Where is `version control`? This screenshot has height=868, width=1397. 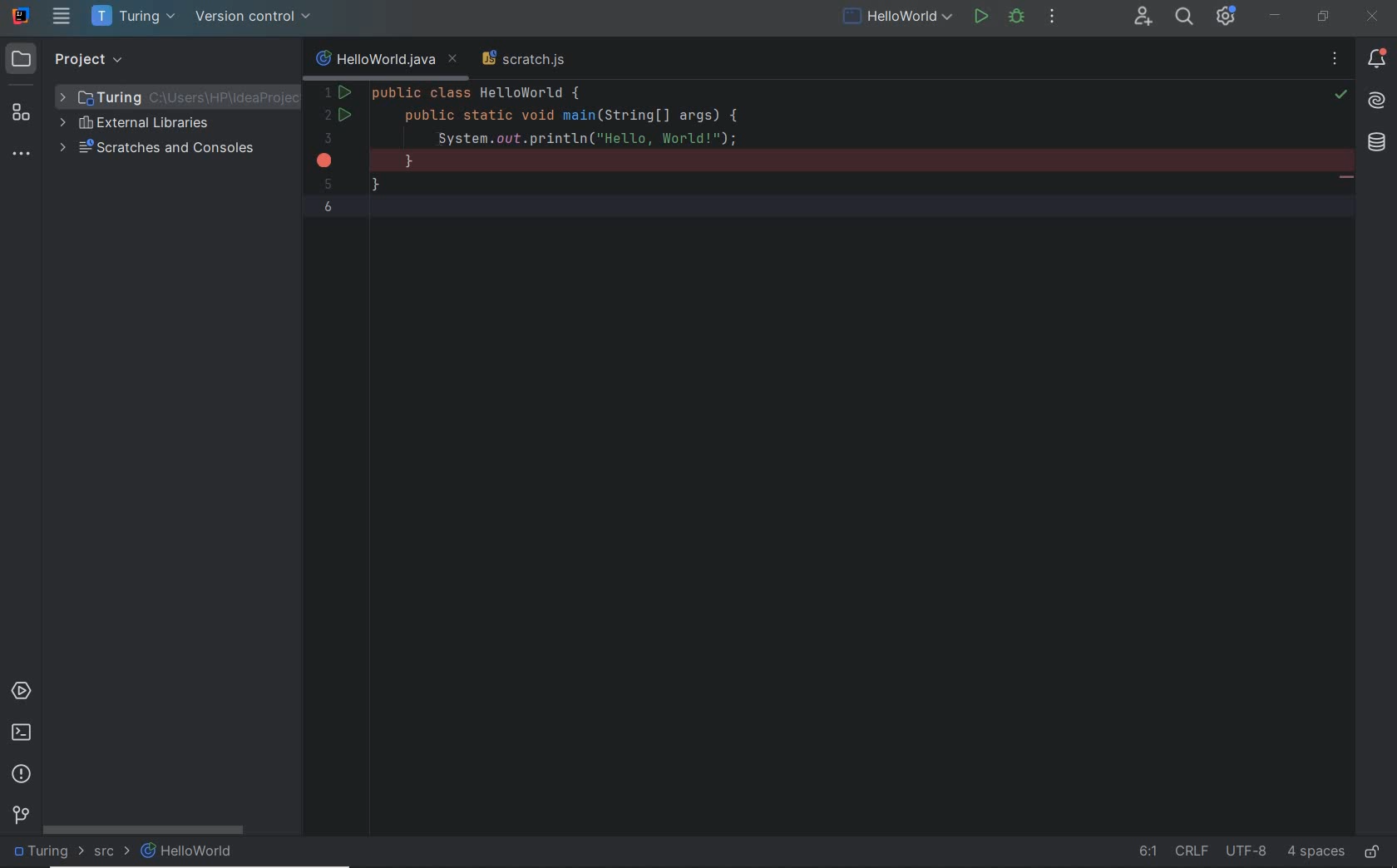 version control is located at coordinates (18, 813).